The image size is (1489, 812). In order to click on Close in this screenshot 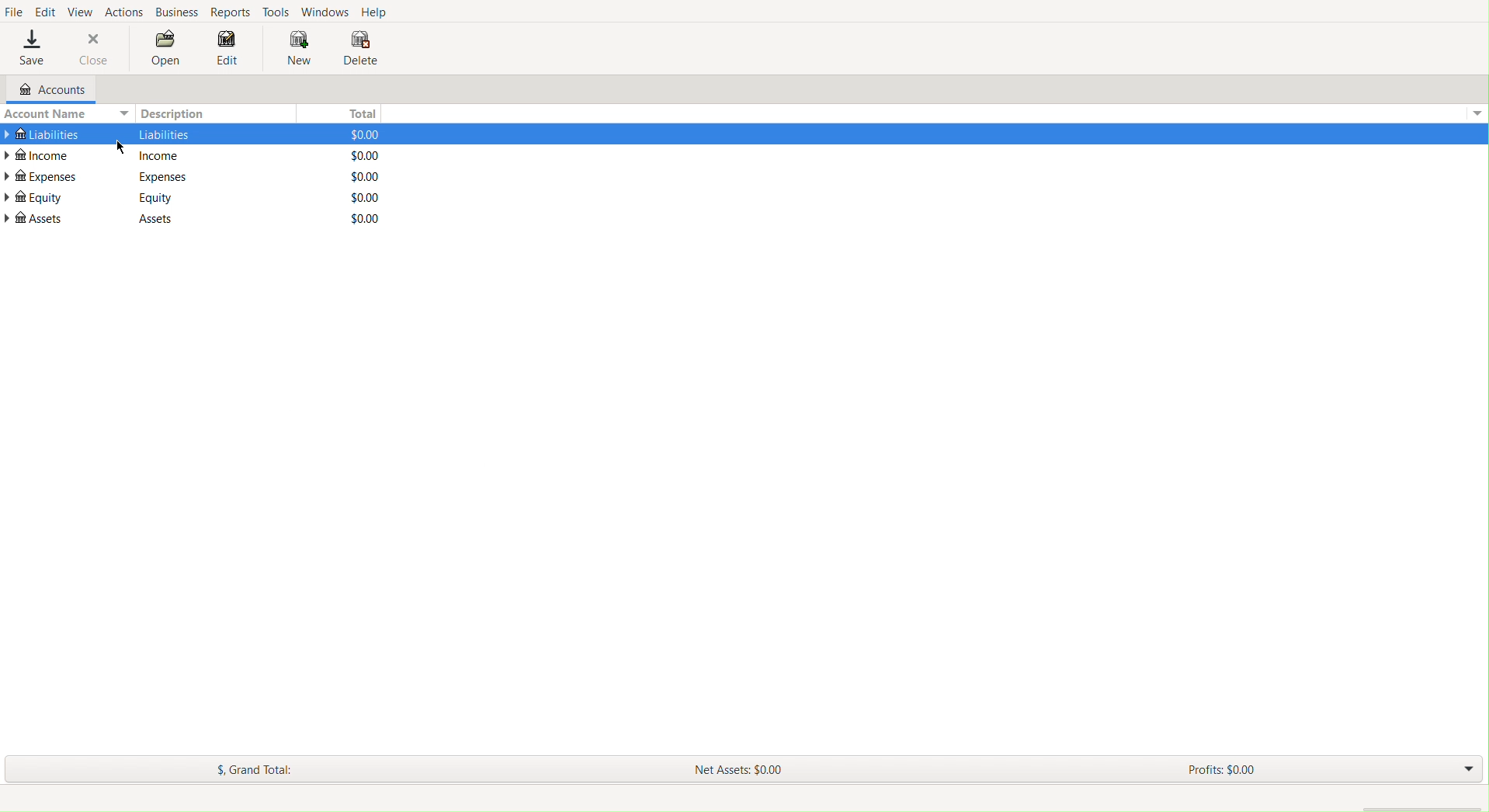, I will do `click(95, 48)`.